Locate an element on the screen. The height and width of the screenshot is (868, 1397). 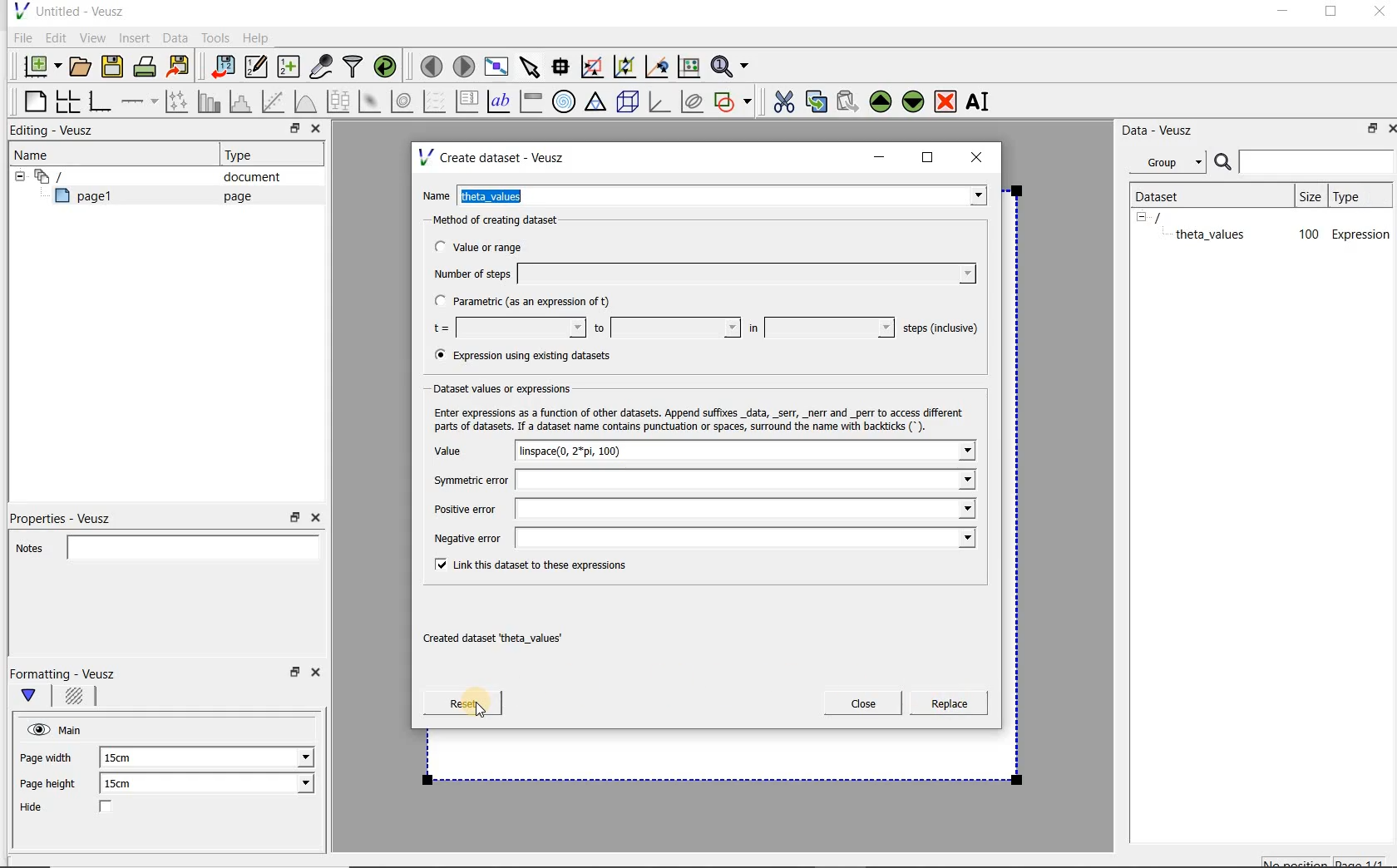
linspace(0, 2*pi, 100) is located at coordinates (748, 451).